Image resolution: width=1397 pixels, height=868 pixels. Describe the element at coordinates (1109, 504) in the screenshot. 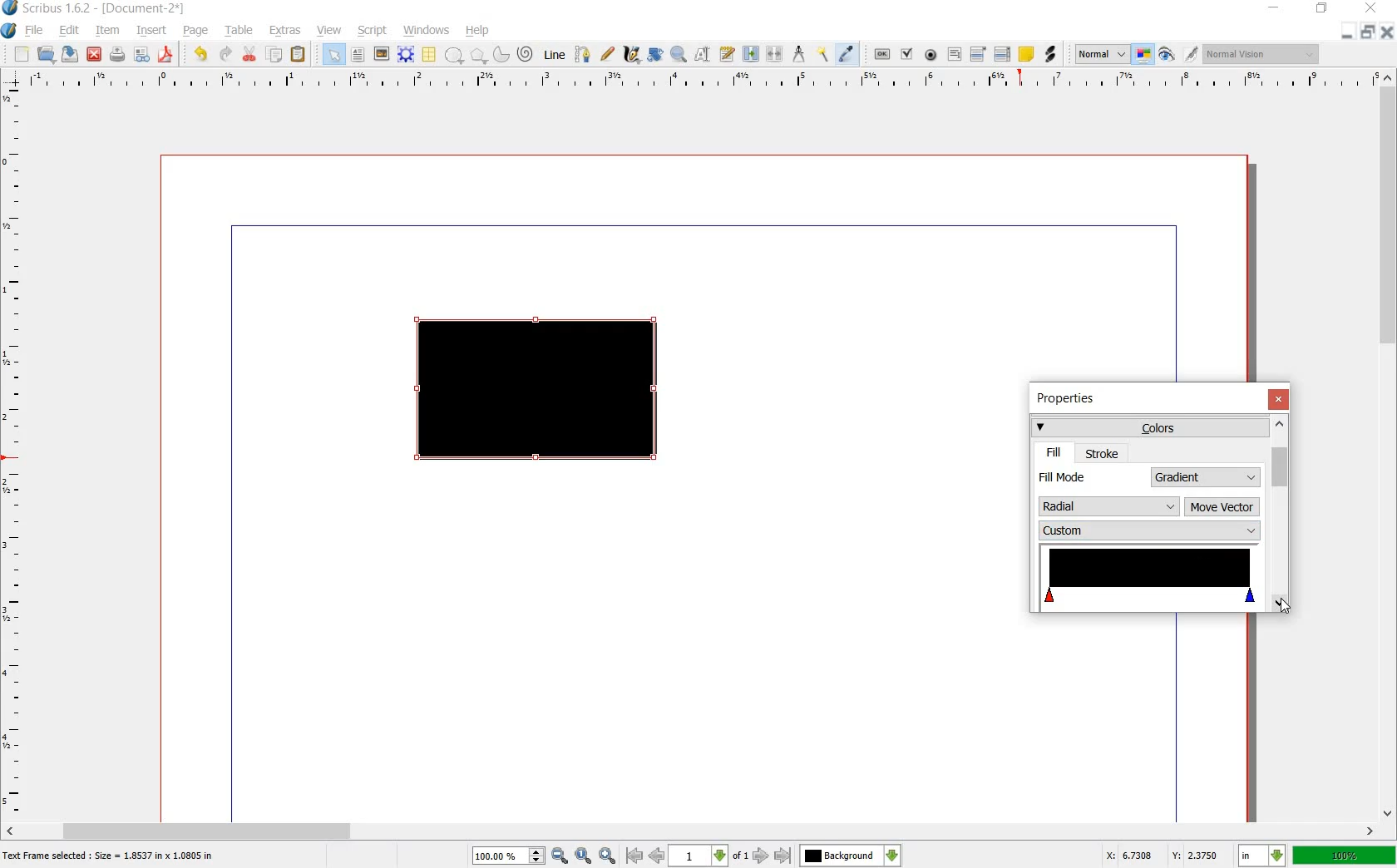

I see `radial` at that location.